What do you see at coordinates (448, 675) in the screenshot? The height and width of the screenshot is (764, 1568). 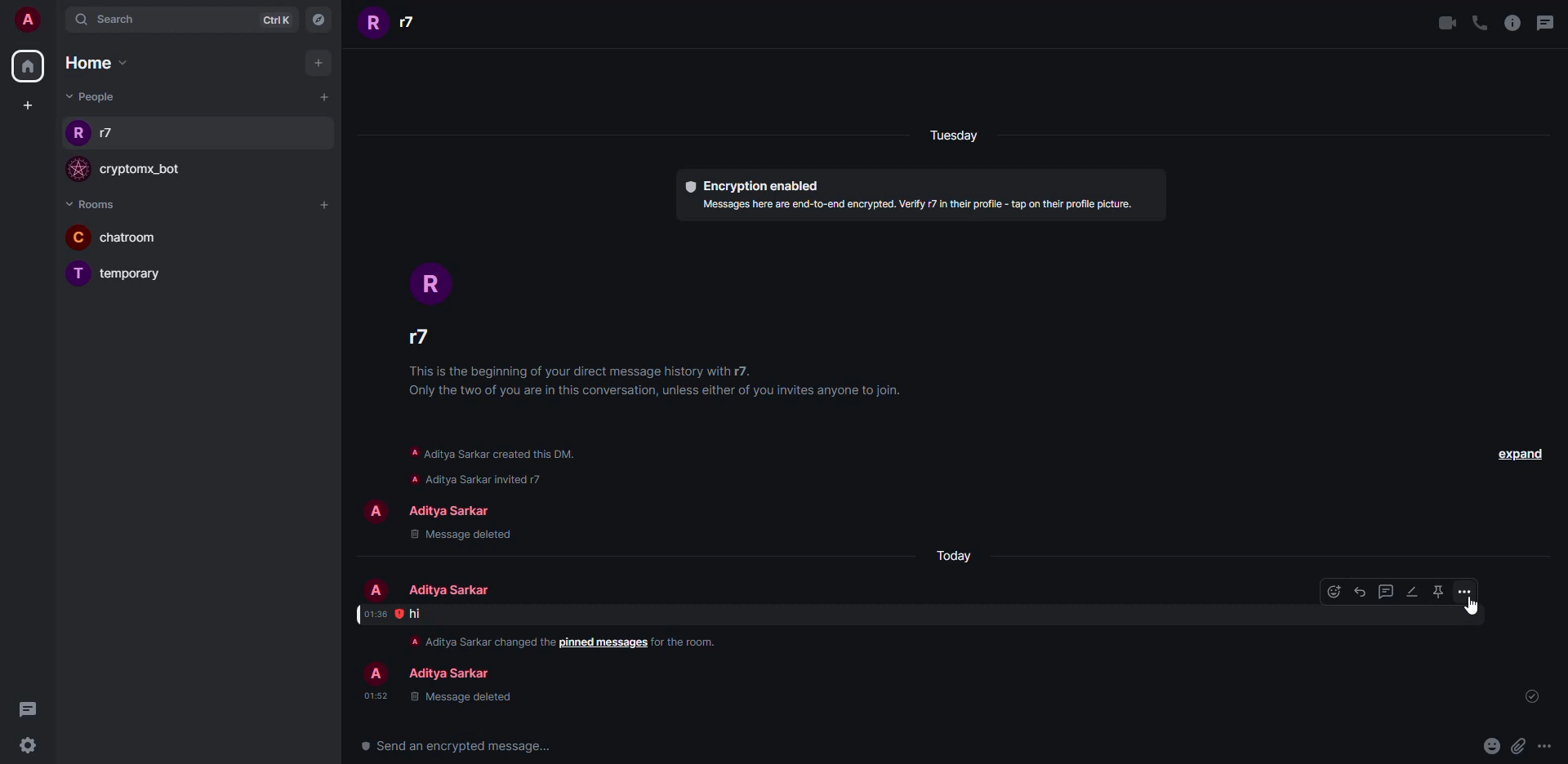 I see `people` at bounding box center [448, 675].